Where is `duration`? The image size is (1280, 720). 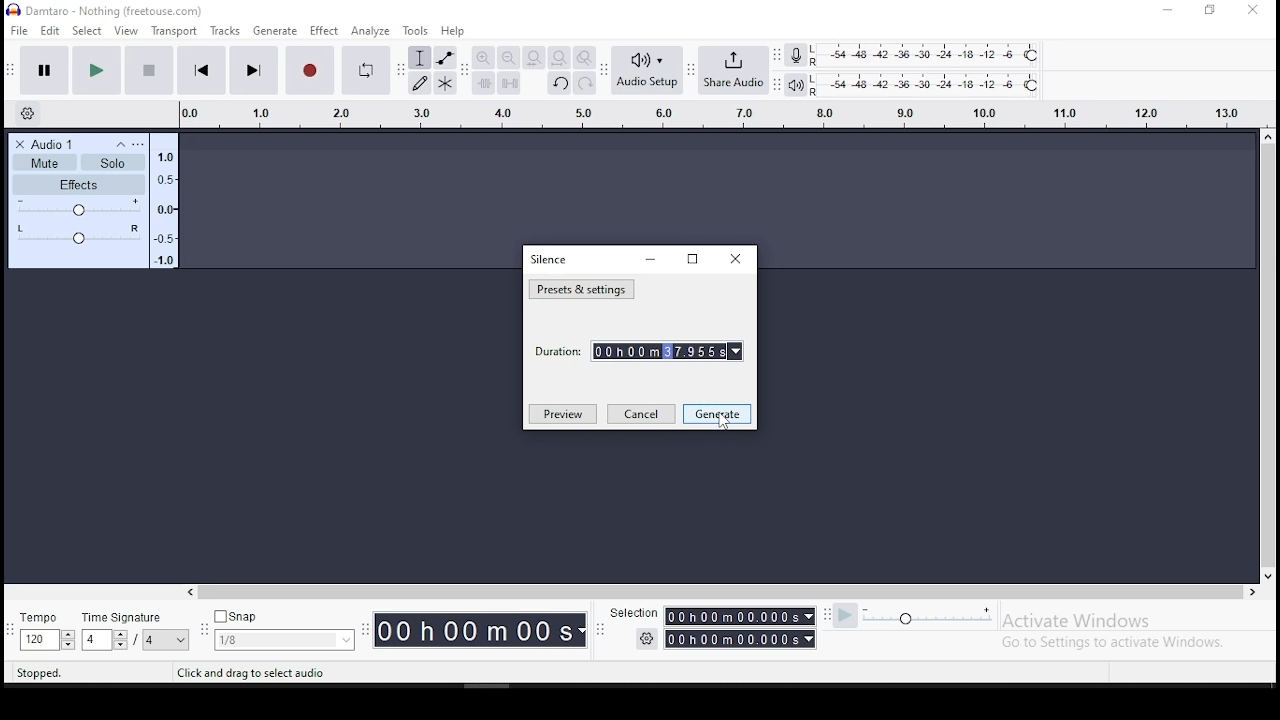
duration is located at coordinates (639, 351).